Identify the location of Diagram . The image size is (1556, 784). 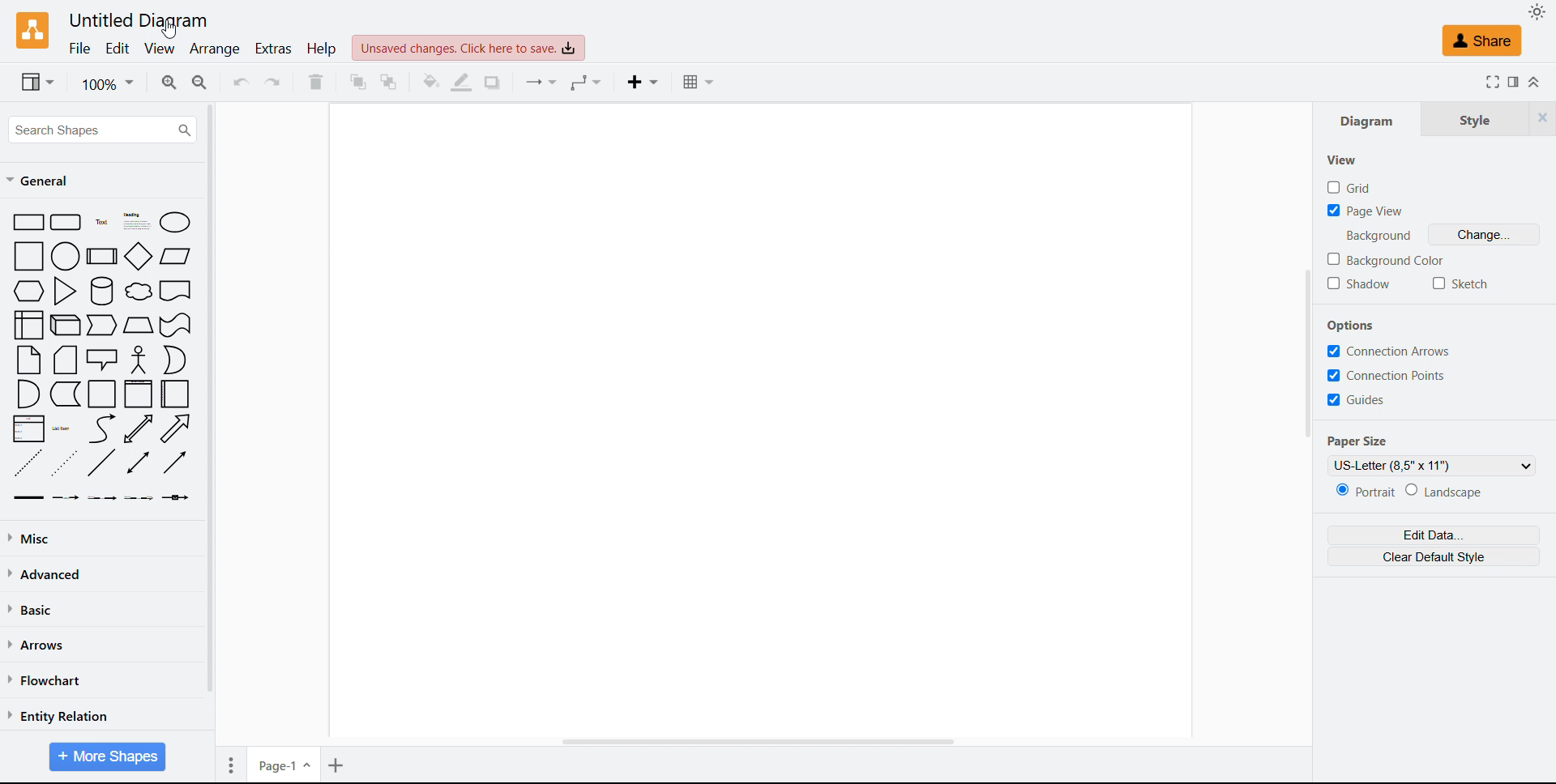
(1366, 118).